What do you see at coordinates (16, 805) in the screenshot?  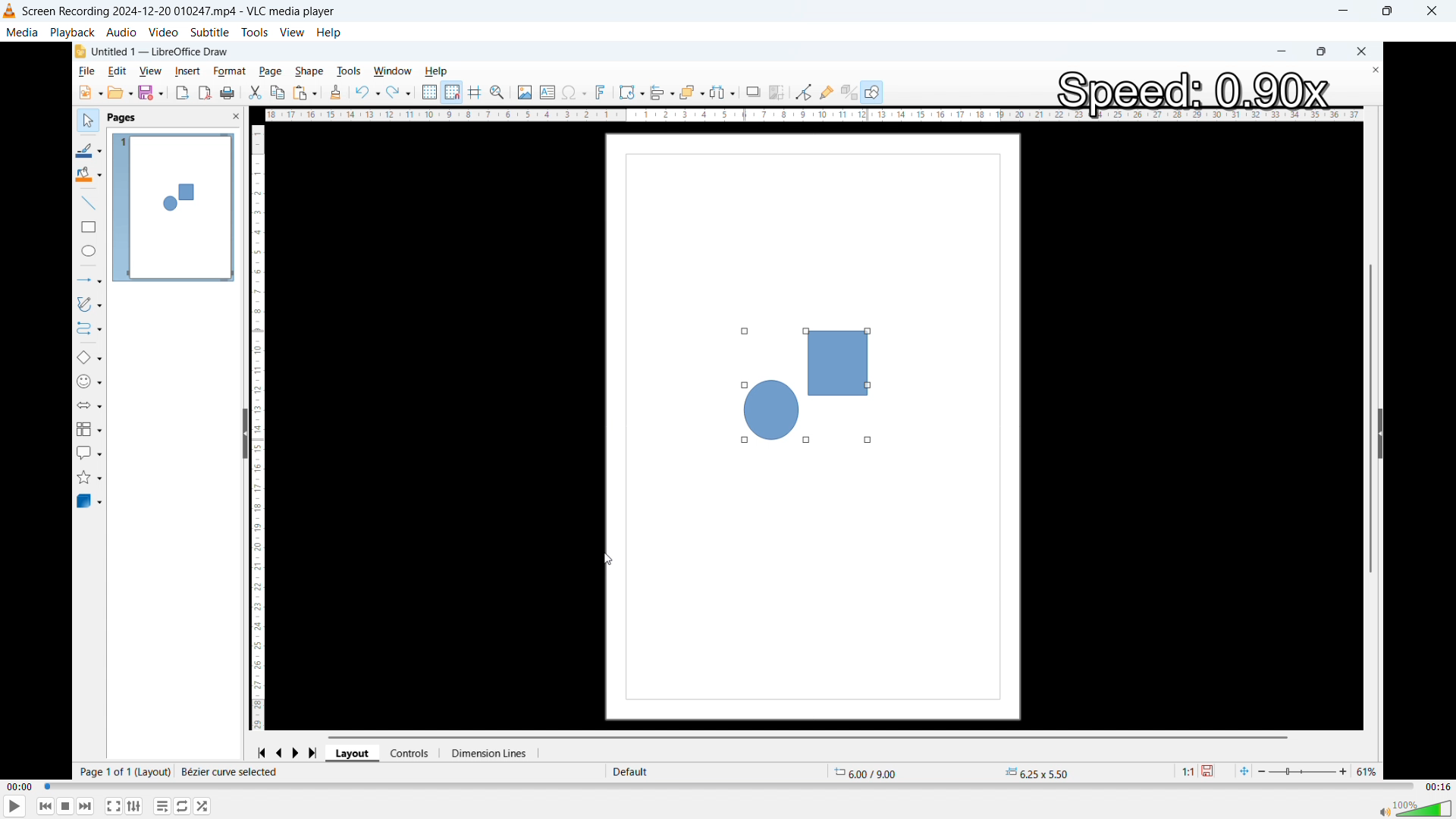 I see `play ` at bounding box center [16, 805].